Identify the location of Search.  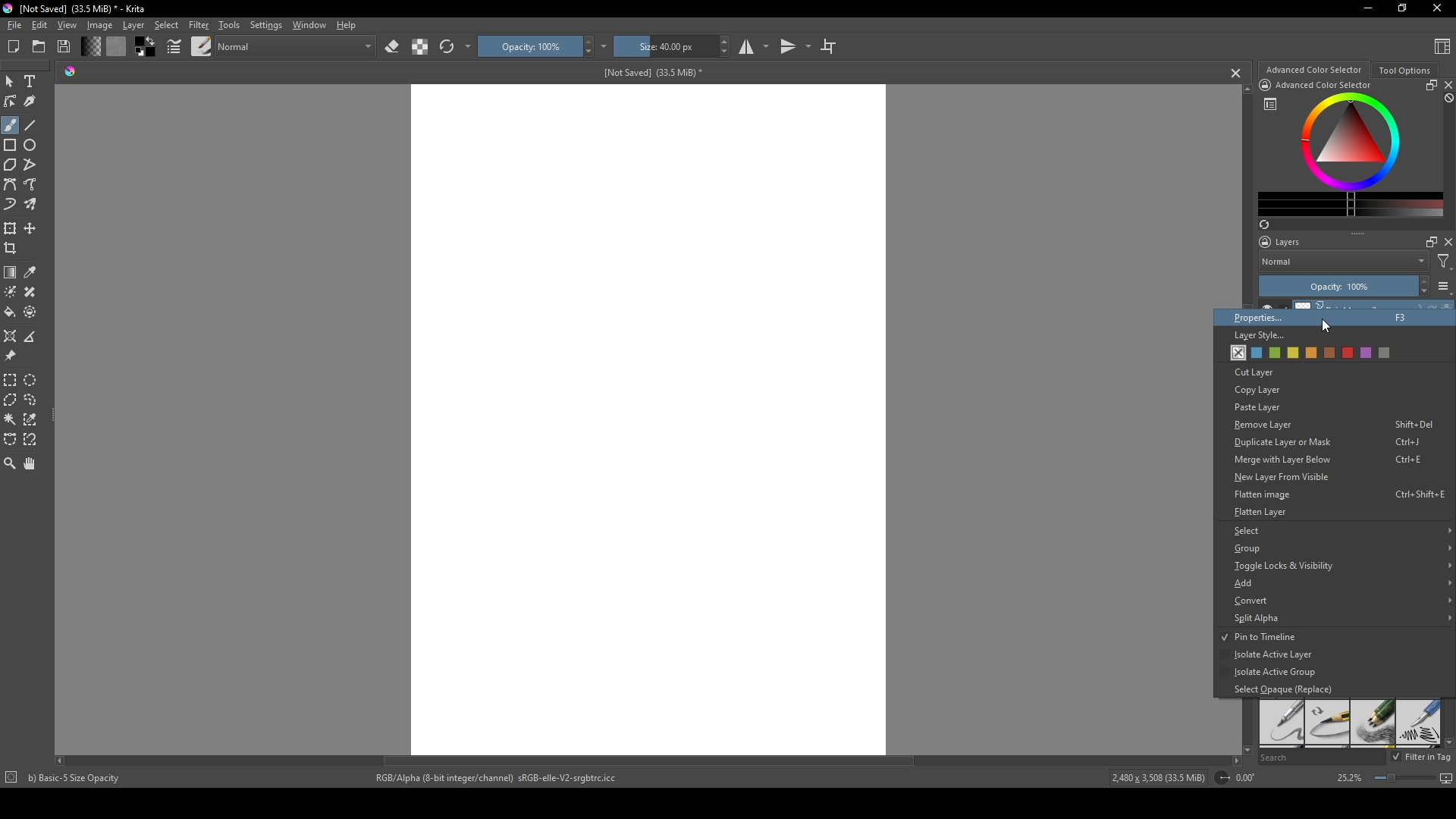
(1321, 758).